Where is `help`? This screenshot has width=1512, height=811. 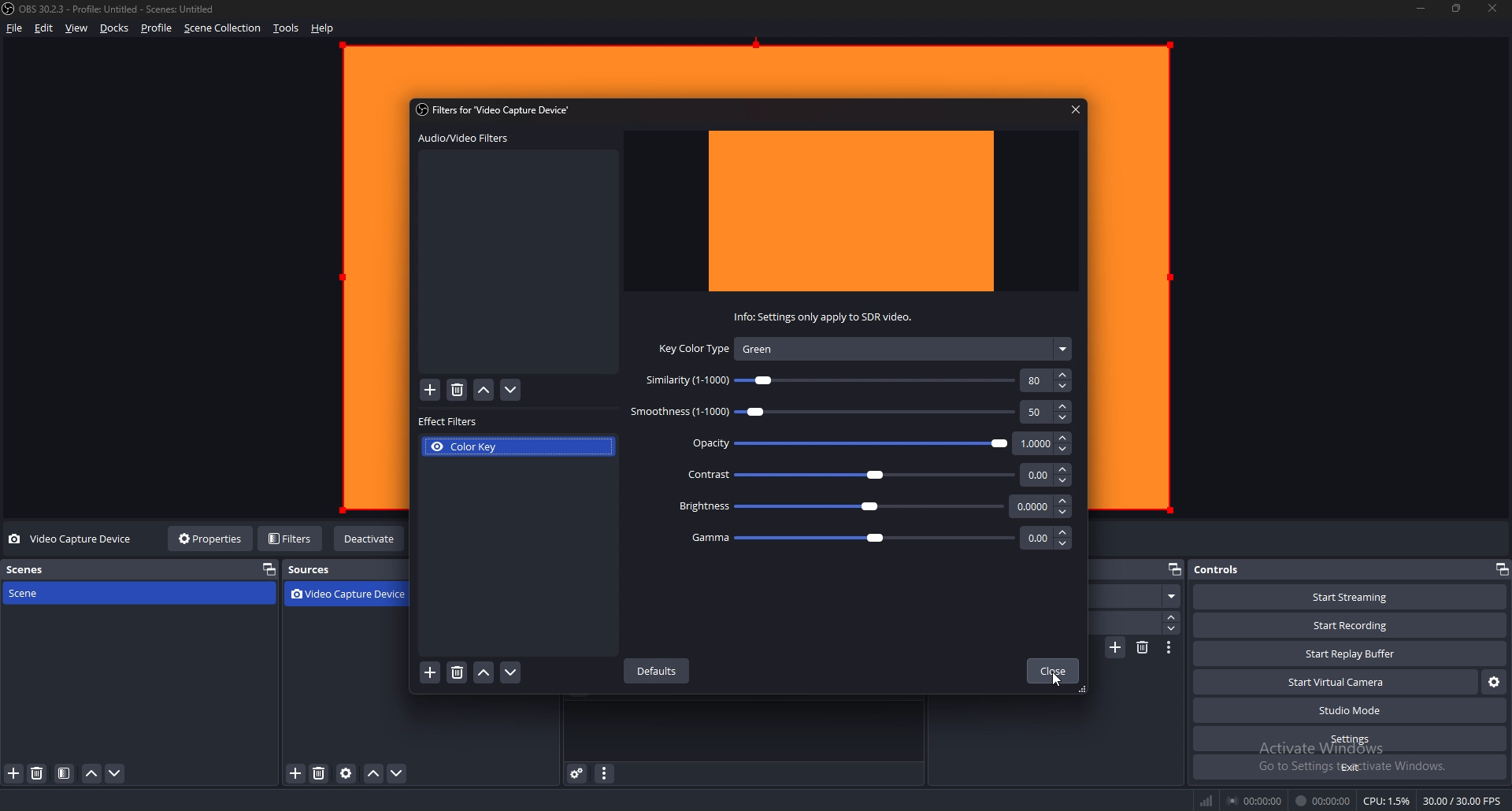 help is located at coordinates (323, 28).